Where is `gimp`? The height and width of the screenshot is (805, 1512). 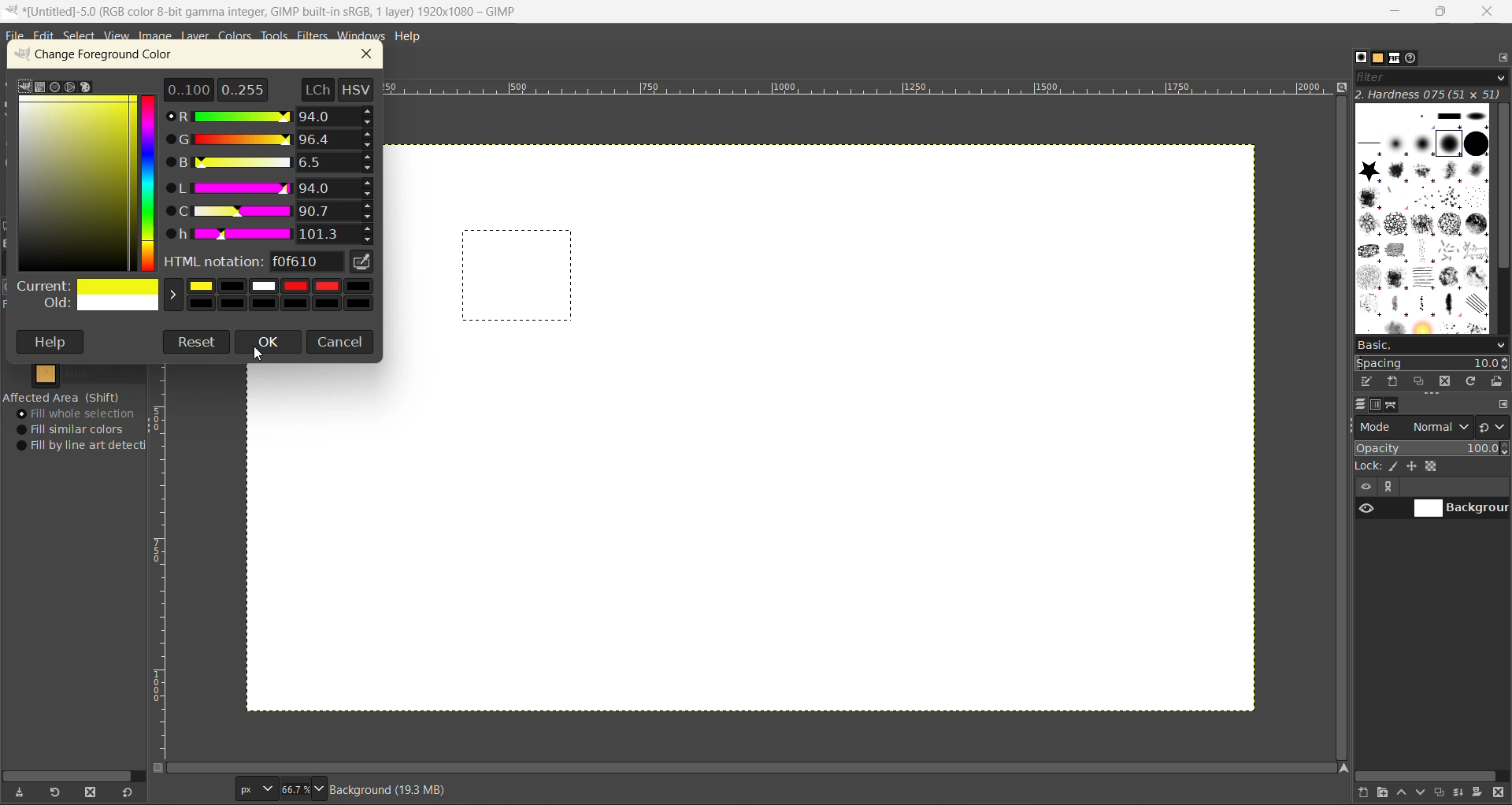
gimp is located at coordinates (24, 85).